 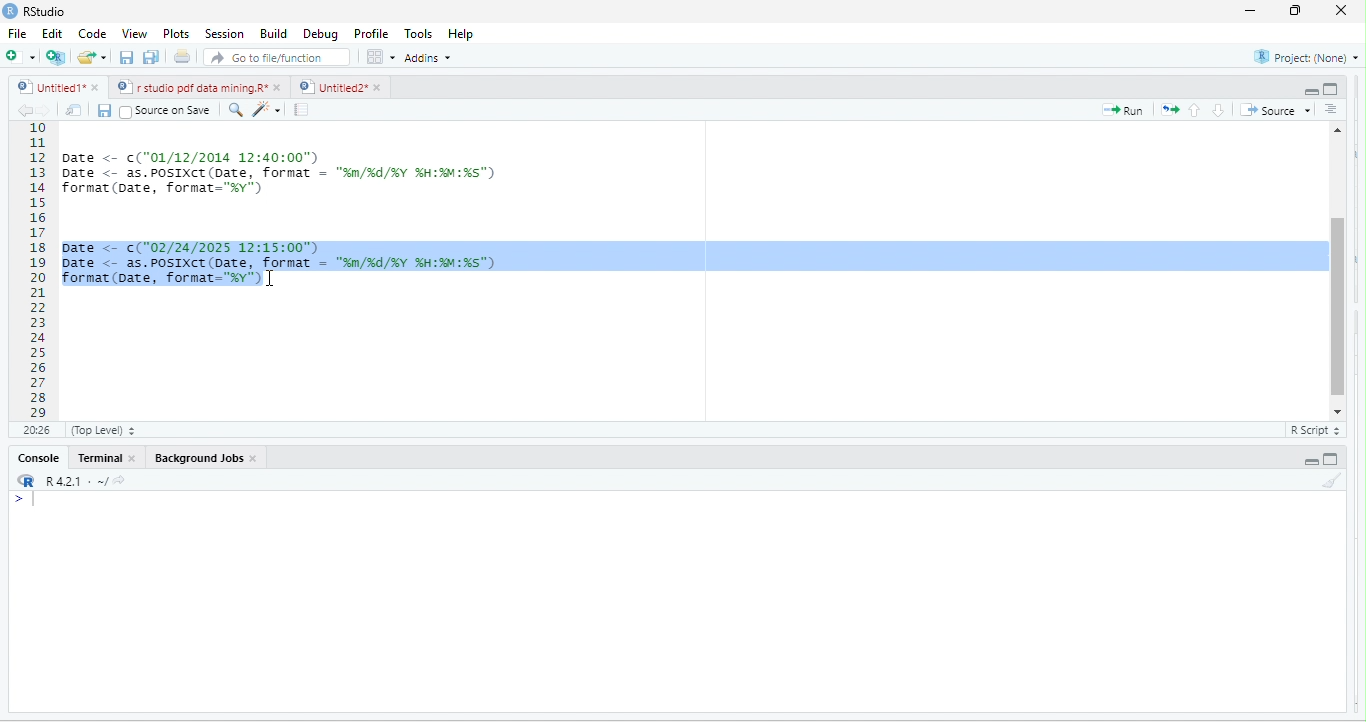 I want to click on Help, so click(x=462, y=35).